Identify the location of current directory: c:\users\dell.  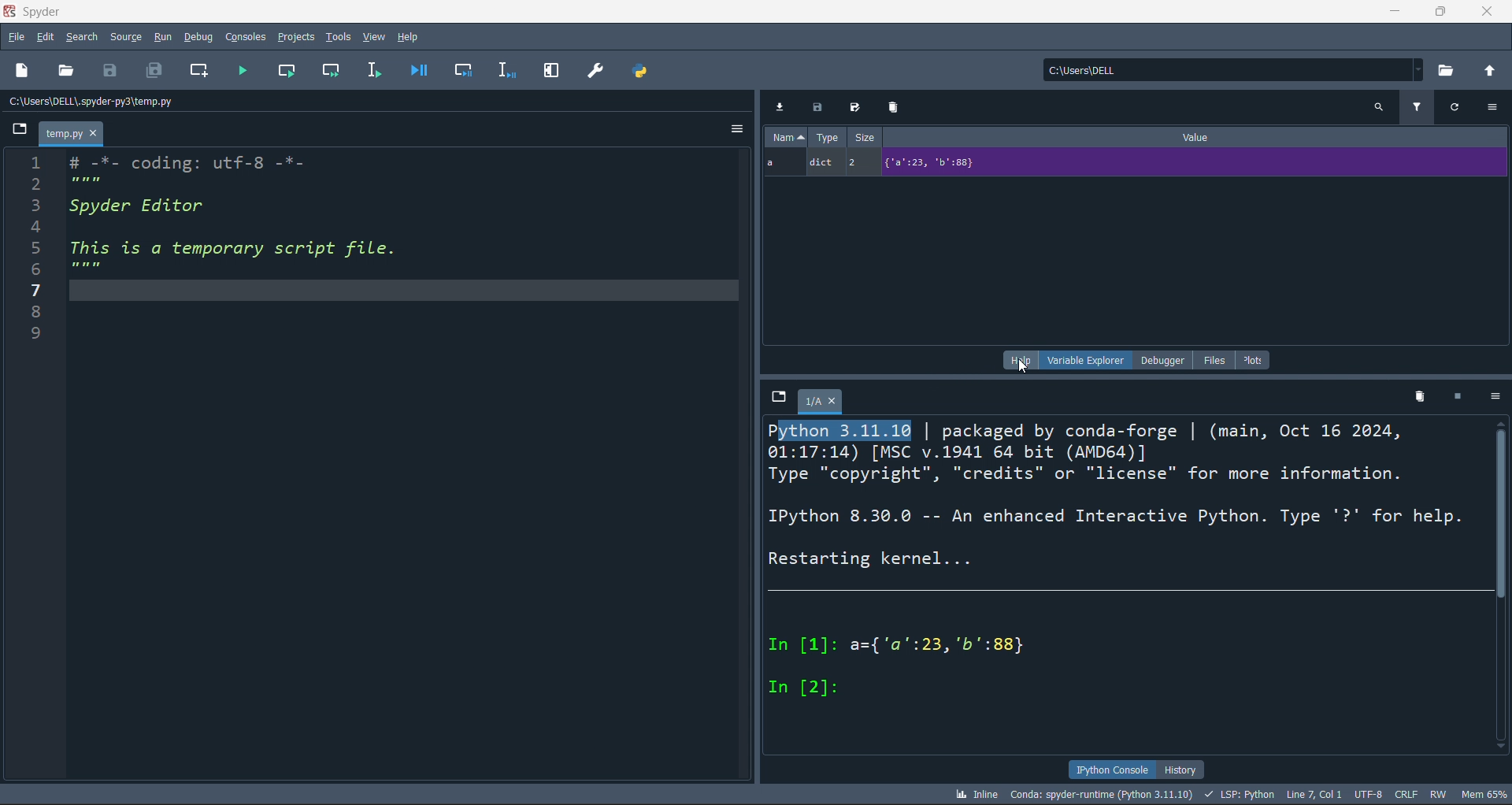
(1228, 70).